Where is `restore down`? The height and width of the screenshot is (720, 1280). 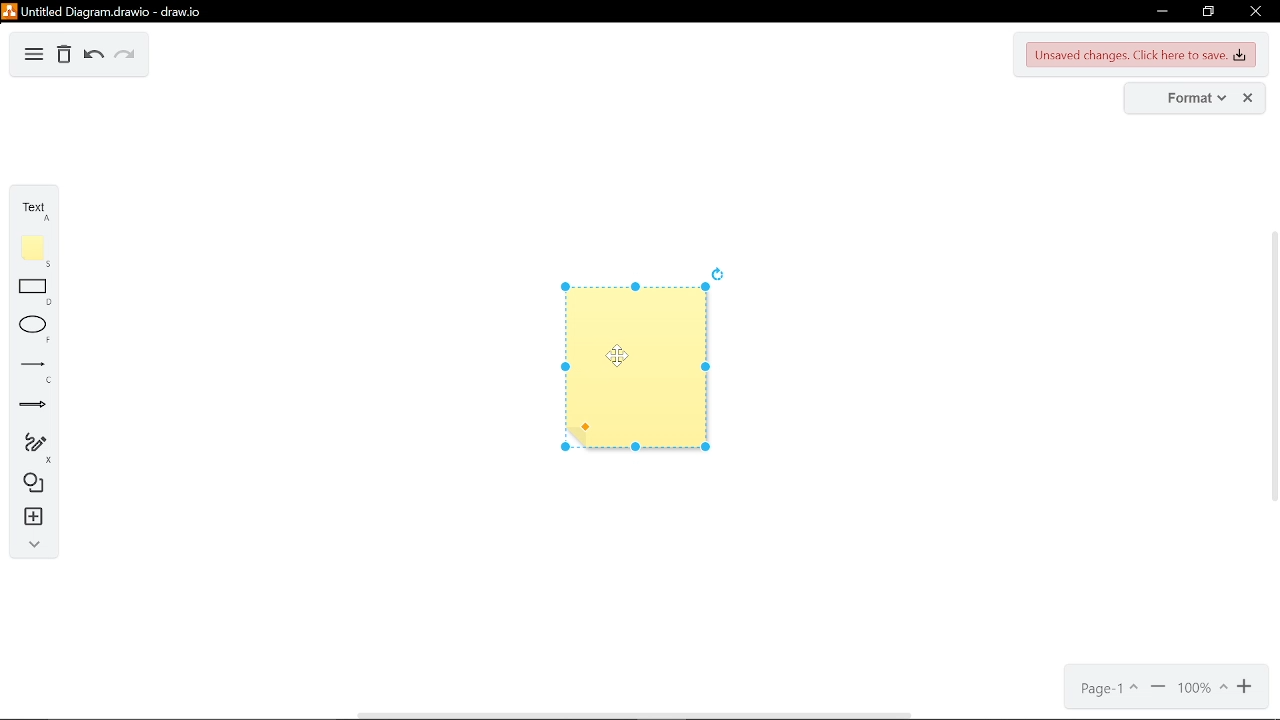 restore down is located at coordinates (1209, 11).